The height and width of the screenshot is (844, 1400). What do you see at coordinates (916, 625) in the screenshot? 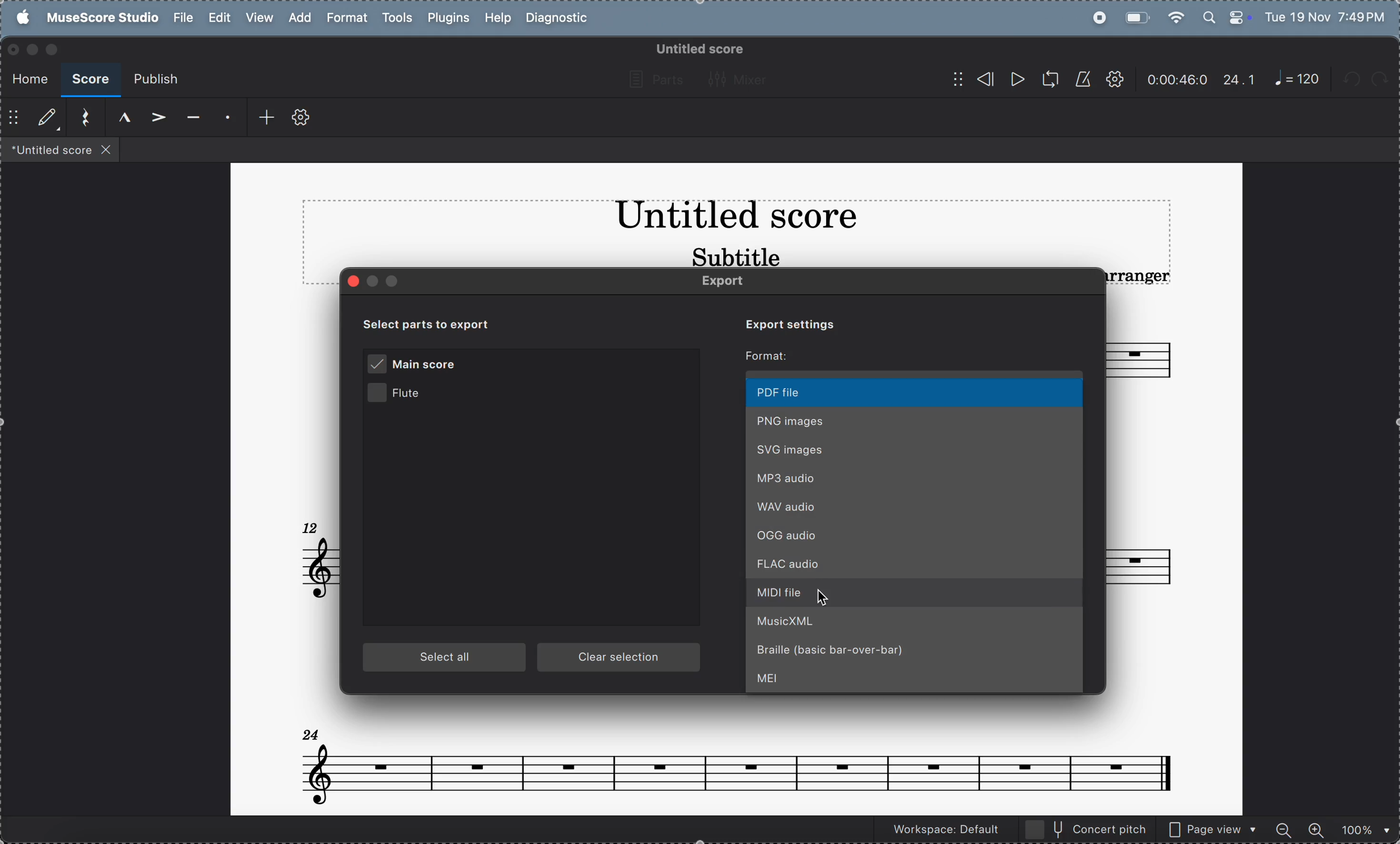
I see `Music XML` at bounding box center [916, 625].